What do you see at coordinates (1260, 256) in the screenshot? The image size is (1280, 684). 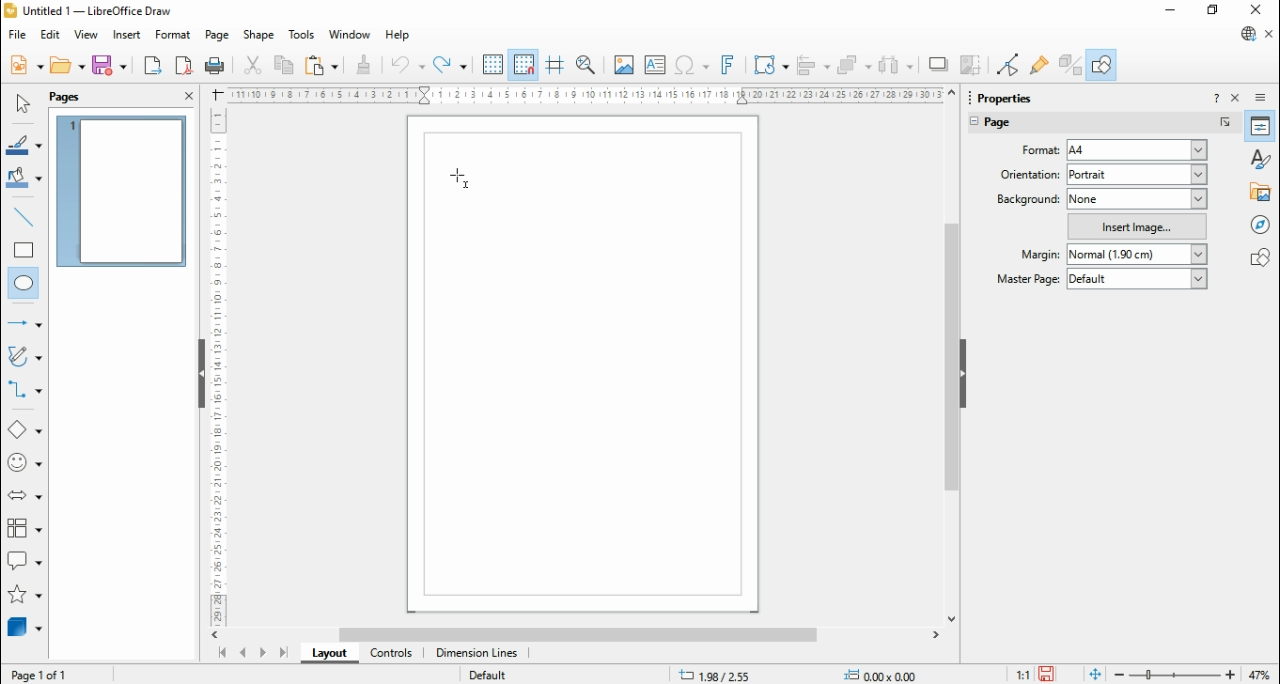 I see `shapes` at bounding box center [1260, 256].